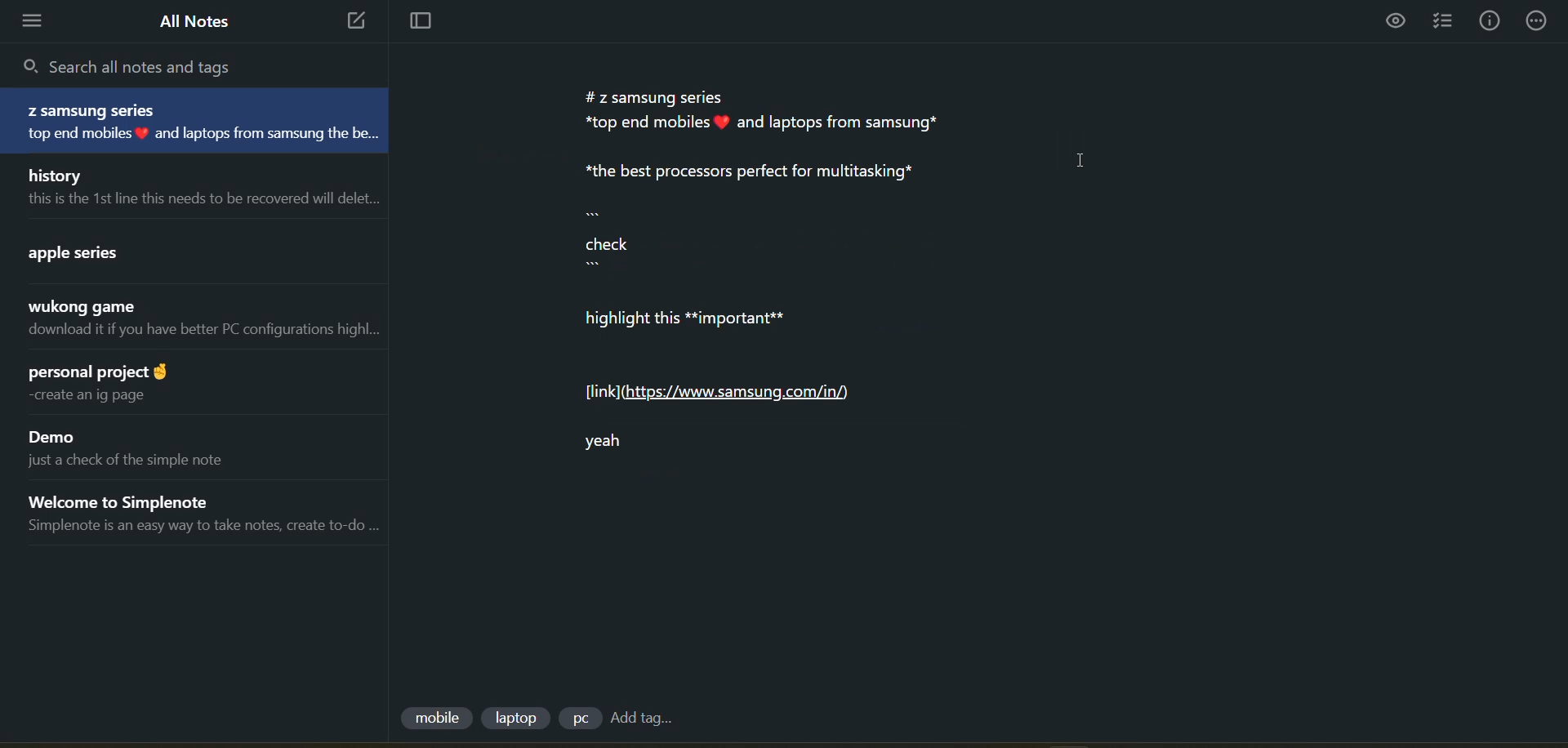 Image resolution: width=1568 pixels, height=748 pixels. Describe the element at coordinates (195, 21) in the screenshot. I see `all notes` at that location.